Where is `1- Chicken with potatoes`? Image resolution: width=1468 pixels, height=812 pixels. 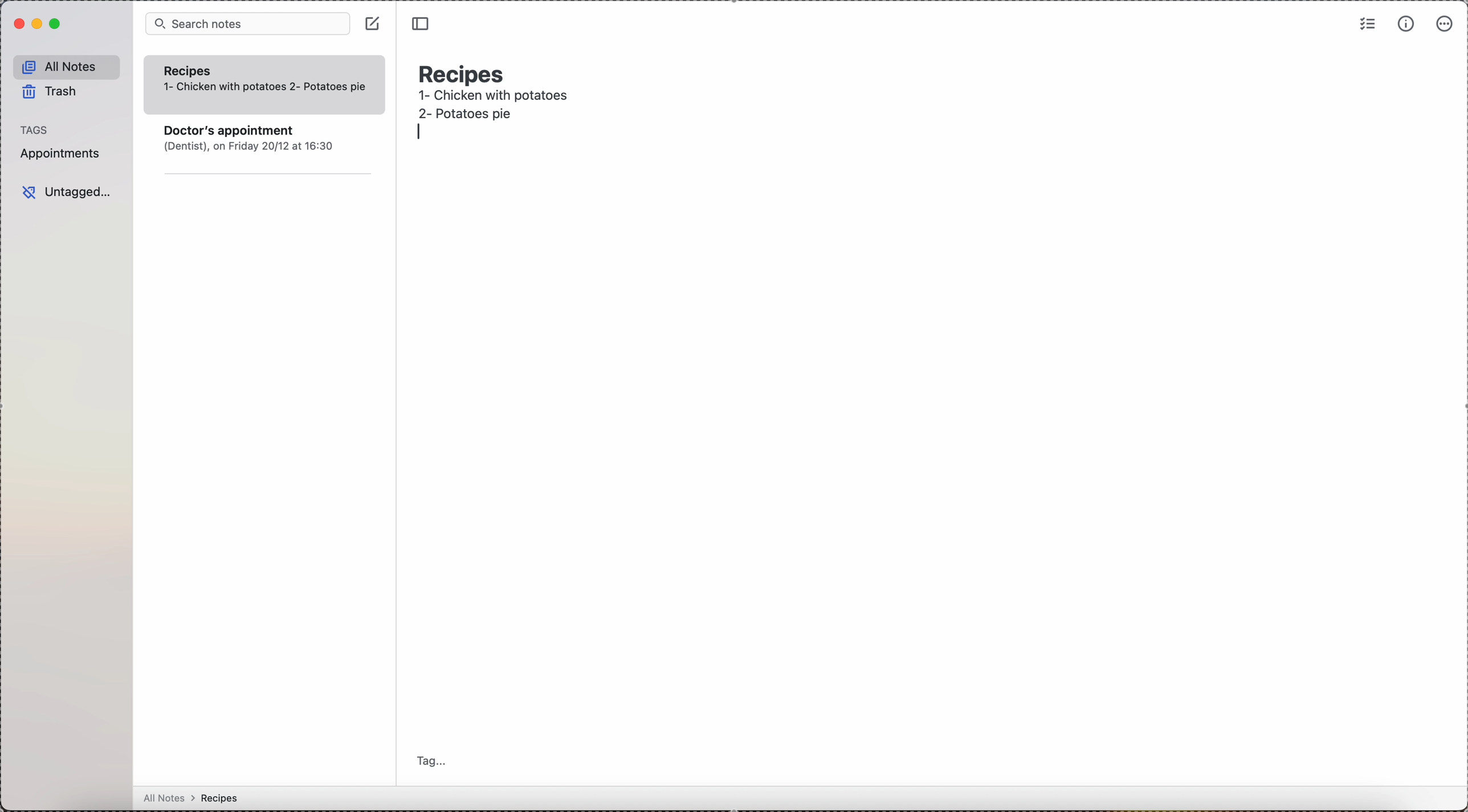 1- Chicken with potatoes is located at coordinates (499, 95).